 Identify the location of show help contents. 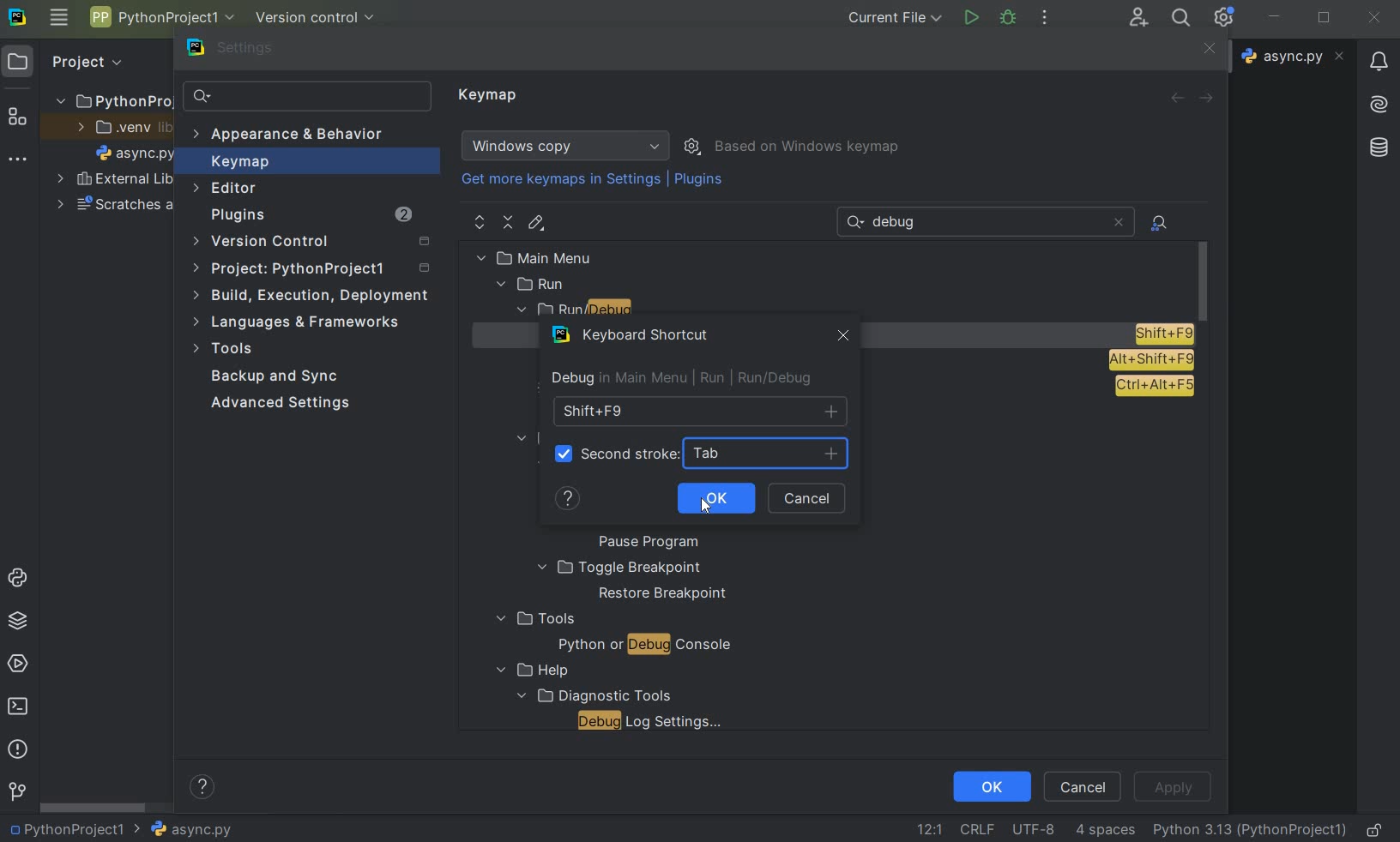
(202, 790).